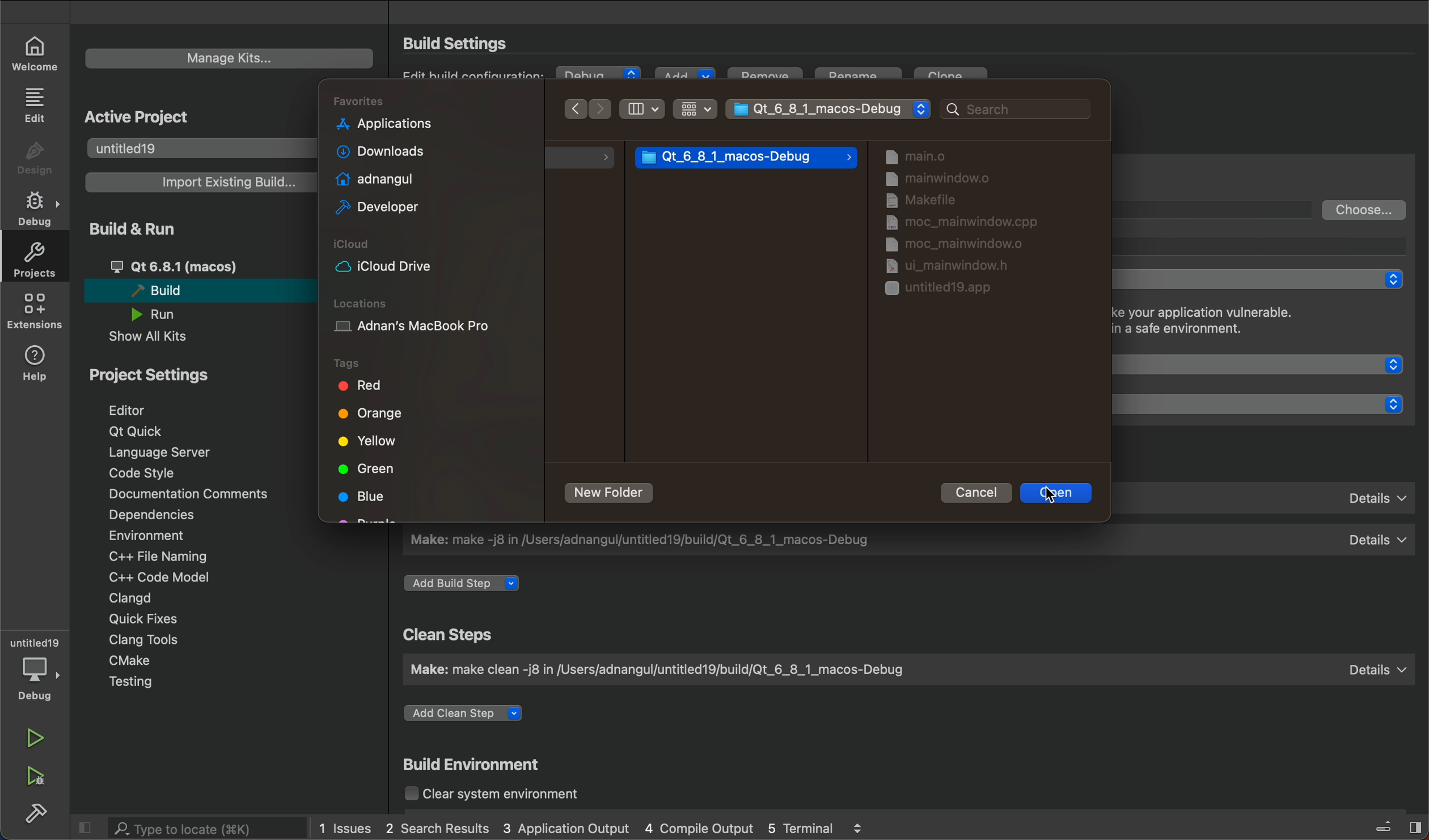  Describe the element at coordinates (384, 124) in the screenshot. I see `applications` at that location.